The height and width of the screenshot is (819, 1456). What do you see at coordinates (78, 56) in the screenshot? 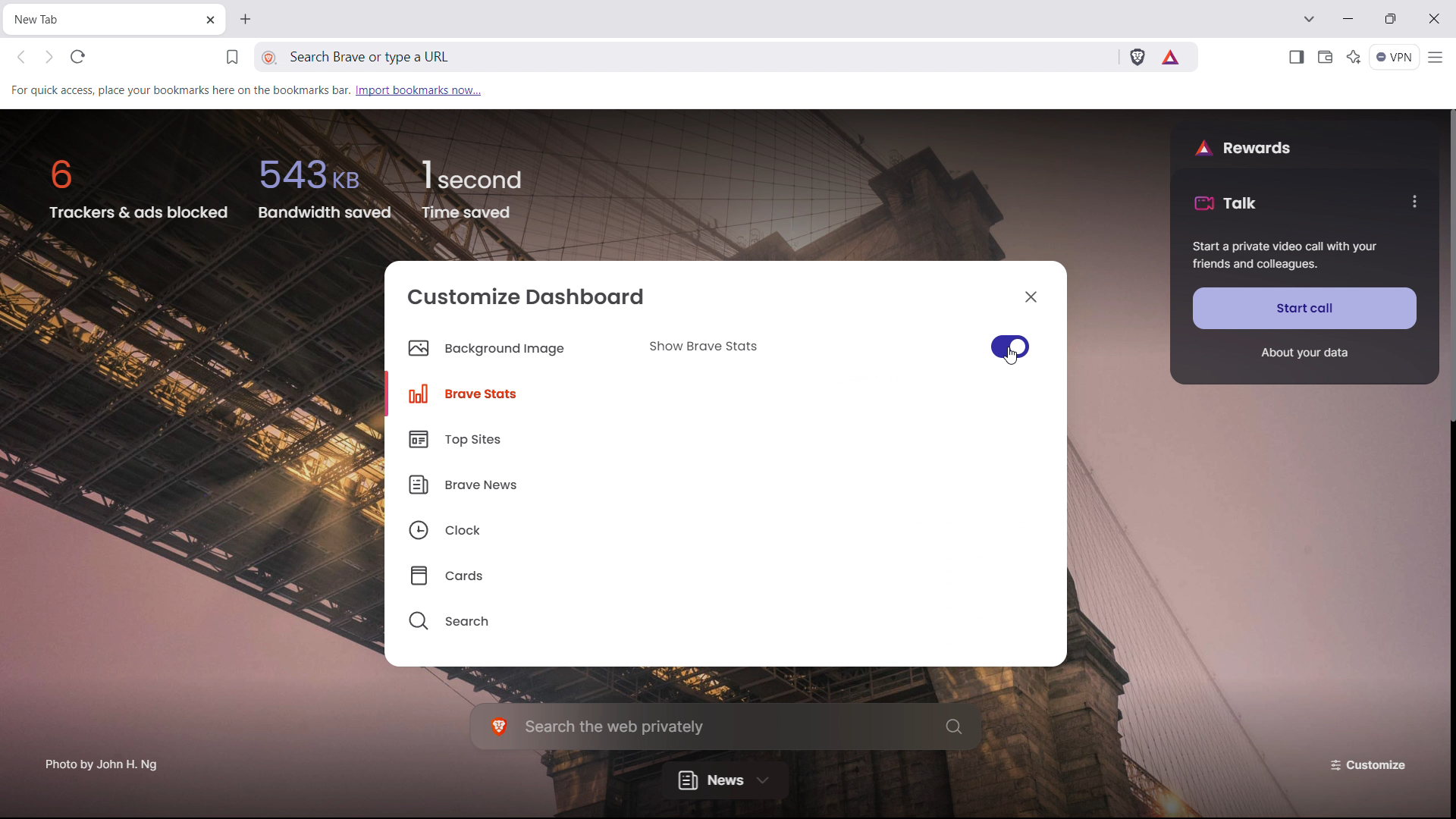
I see `reload this page` at bounding box center [78, 56].